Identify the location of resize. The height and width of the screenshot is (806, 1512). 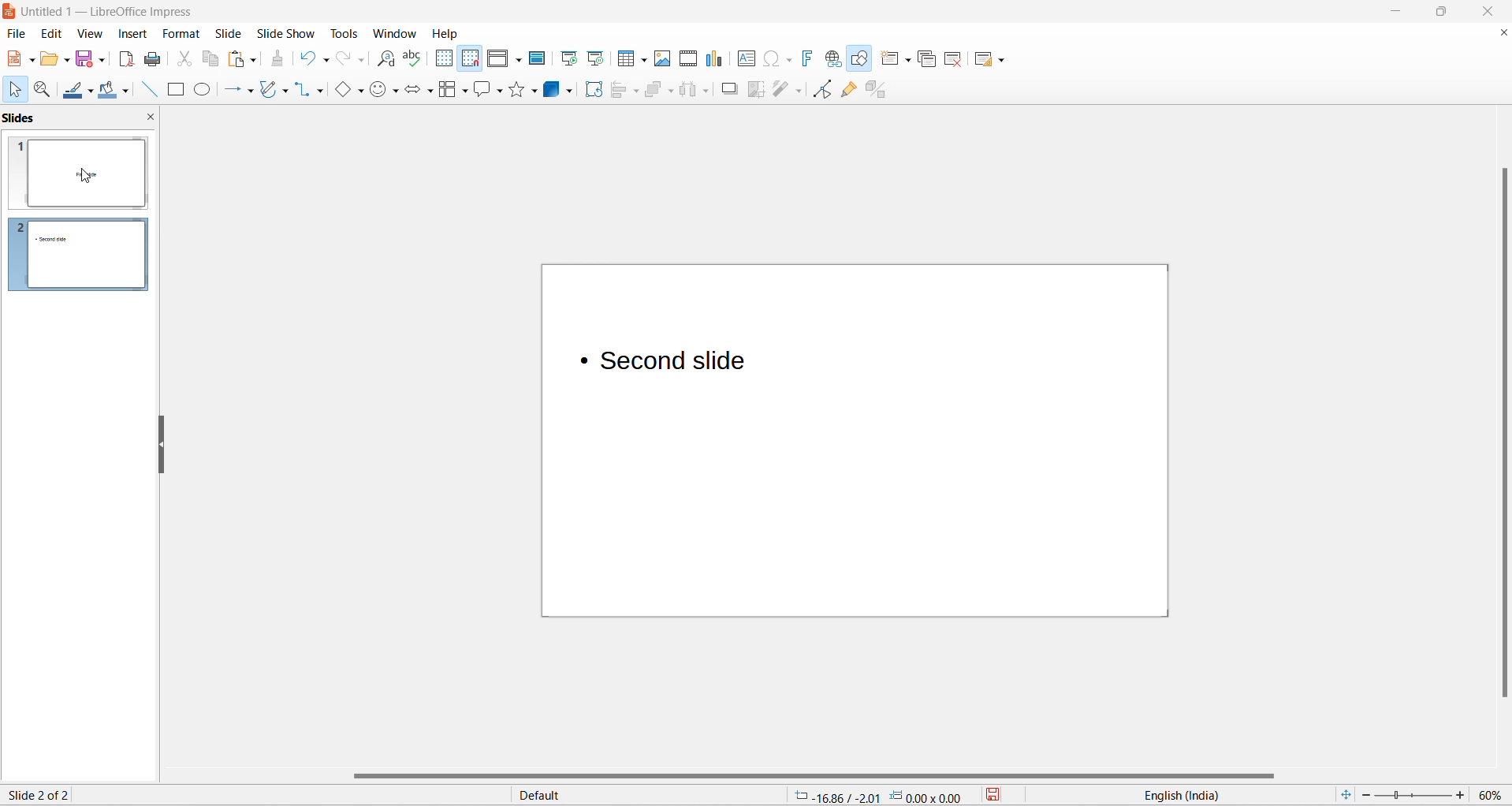
(163, 445).